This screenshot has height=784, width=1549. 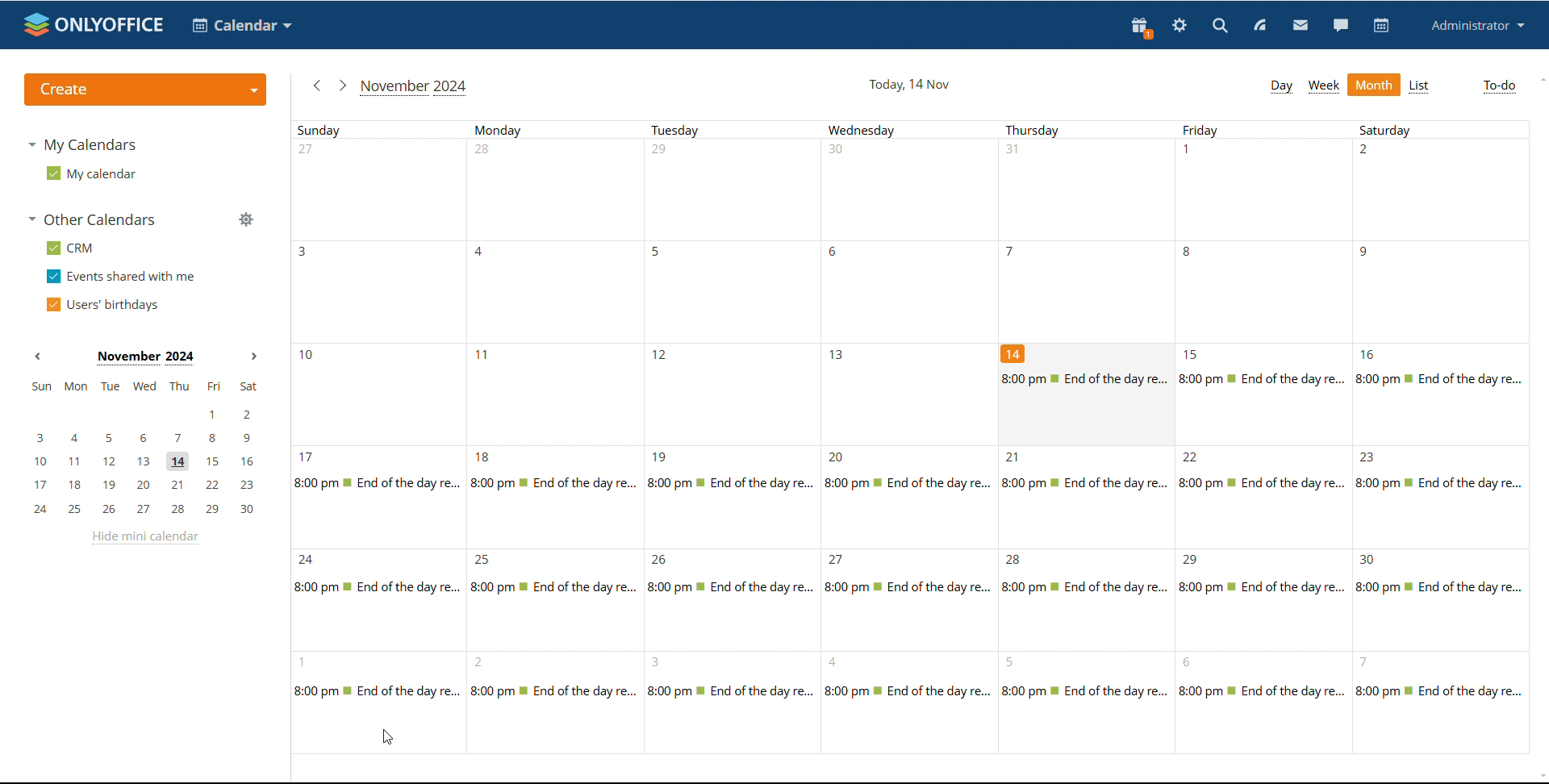 I want to click on current date, so click(x=910, y=85).